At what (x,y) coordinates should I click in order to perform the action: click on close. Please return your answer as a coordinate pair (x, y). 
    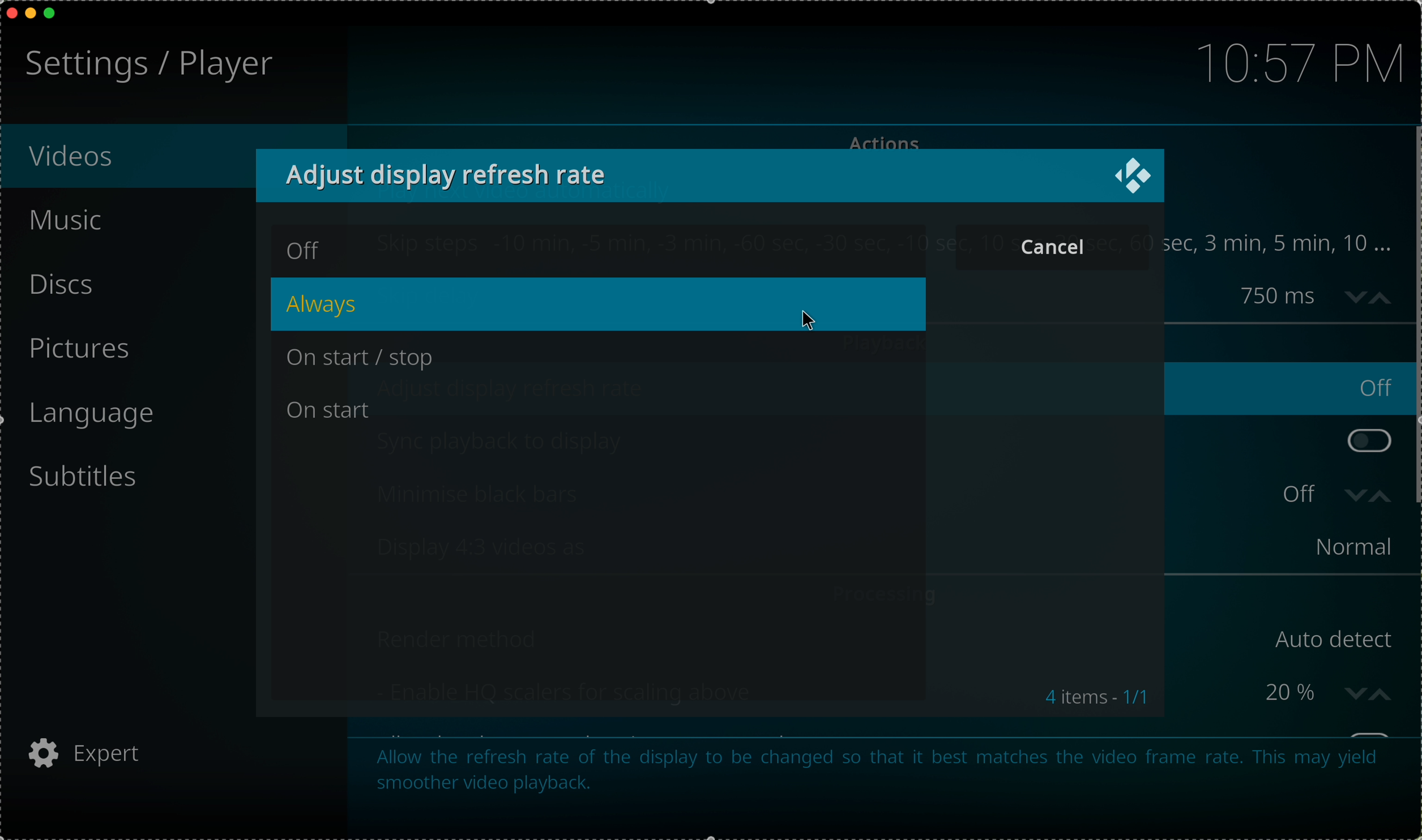
    Looking at the image, I should click on (9, 12).